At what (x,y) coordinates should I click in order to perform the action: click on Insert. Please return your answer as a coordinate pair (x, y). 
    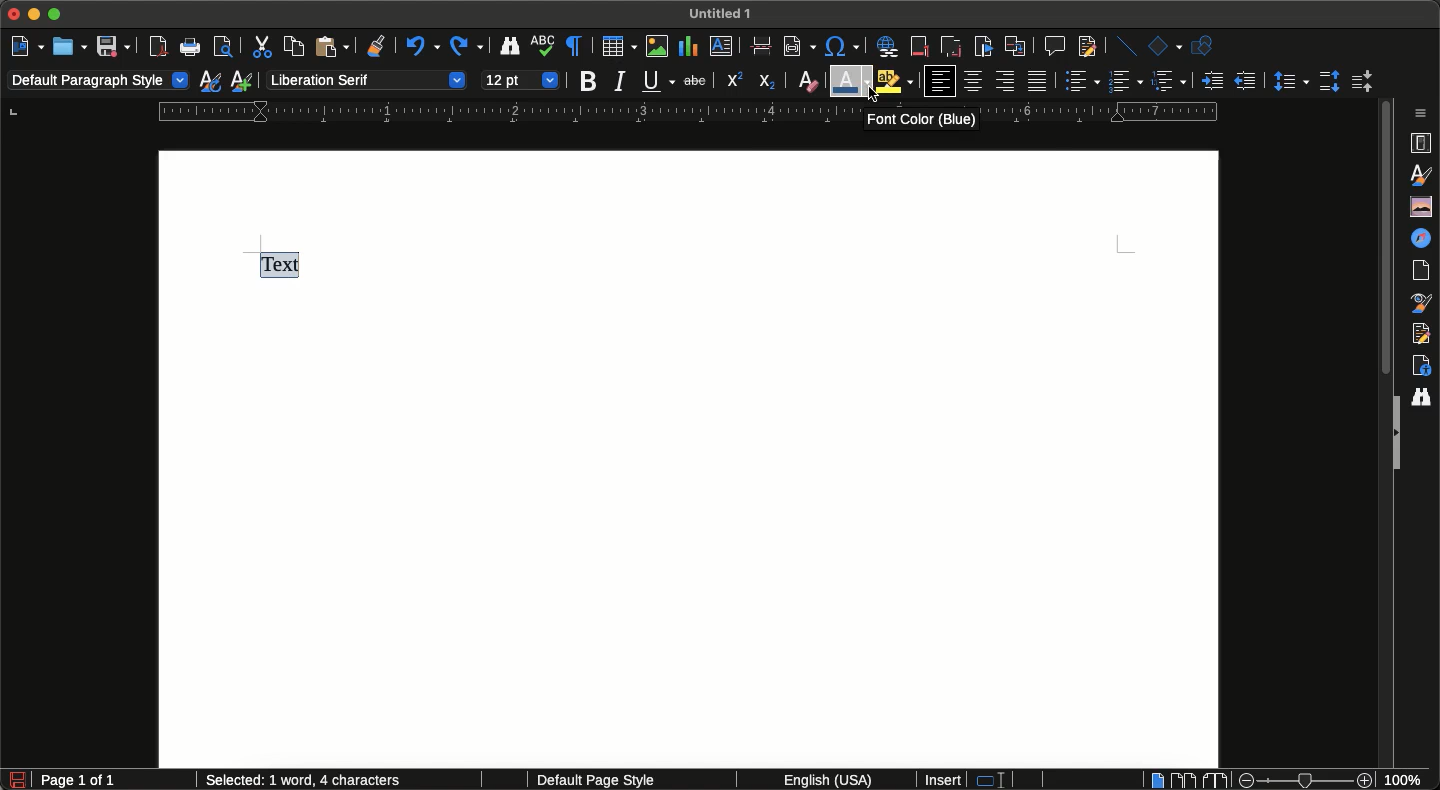
    Looking at the image, I should click on (944, 780).